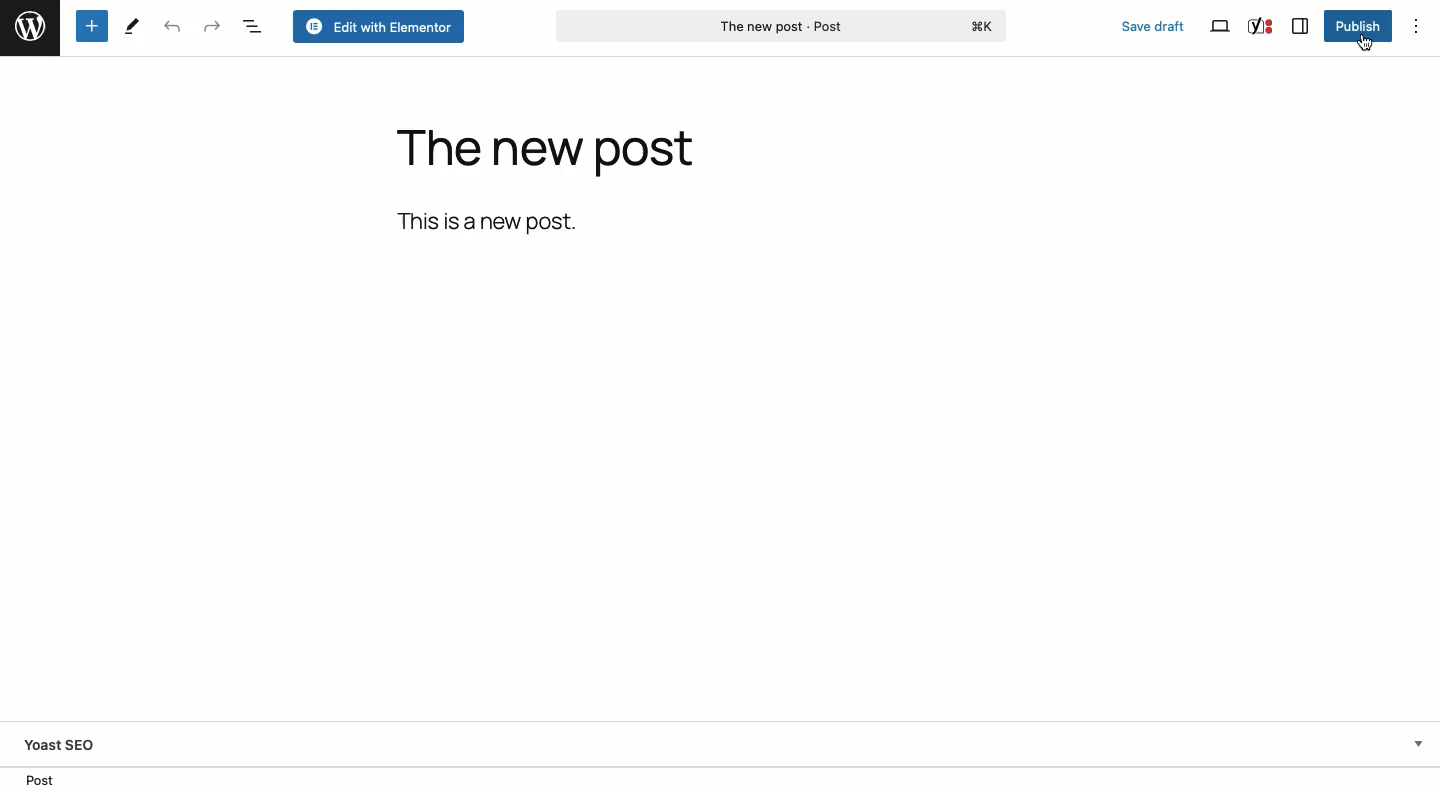 This screenshot has width=1440, height=792. What do you see at coordinates (779, 27) in the screenshot?
I see `The new post - Post` at bounding box center [779, 27].